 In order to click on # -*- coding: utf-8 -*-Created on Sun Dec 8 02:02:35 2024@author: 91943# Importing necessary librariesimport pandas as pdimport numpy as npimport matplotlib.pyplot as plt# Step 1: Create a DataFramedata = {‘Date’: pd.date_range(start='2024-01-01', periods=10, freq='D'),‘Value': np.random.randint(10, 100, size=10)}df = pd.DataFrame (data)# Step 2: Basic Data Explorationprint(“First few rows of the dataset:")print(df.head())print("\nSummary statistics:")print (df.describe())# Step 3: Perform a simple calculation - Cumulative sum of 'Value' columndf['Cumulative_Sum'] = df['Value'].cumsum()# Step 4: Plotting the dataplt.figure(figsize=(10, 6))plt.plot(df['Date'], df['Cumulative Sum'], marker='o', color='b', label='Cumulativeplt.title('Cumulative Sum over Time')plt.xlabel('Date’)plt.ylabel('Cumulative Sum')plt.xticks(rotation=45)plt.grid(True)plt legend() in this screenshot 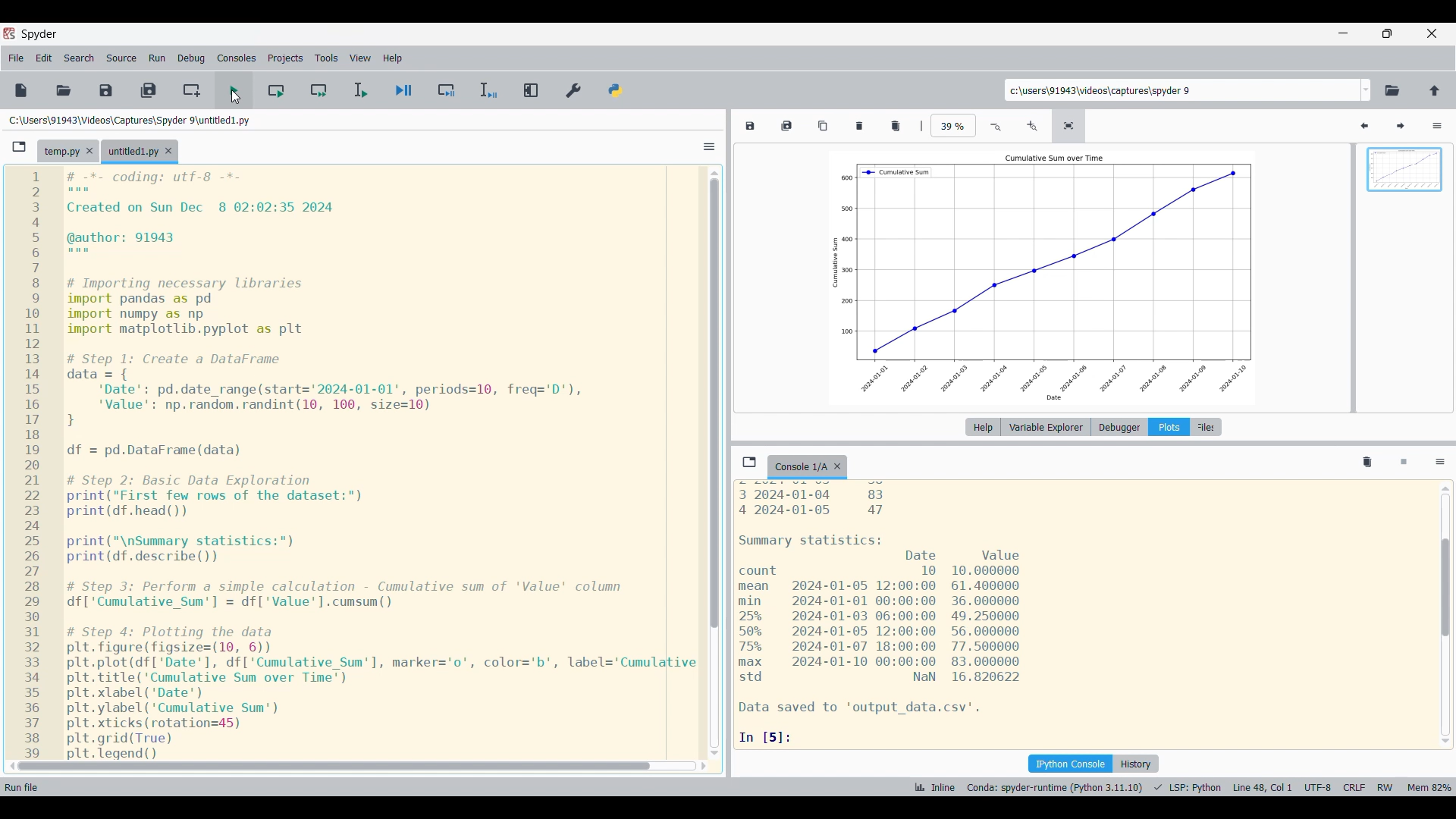, I will do `click(378, 466)`.